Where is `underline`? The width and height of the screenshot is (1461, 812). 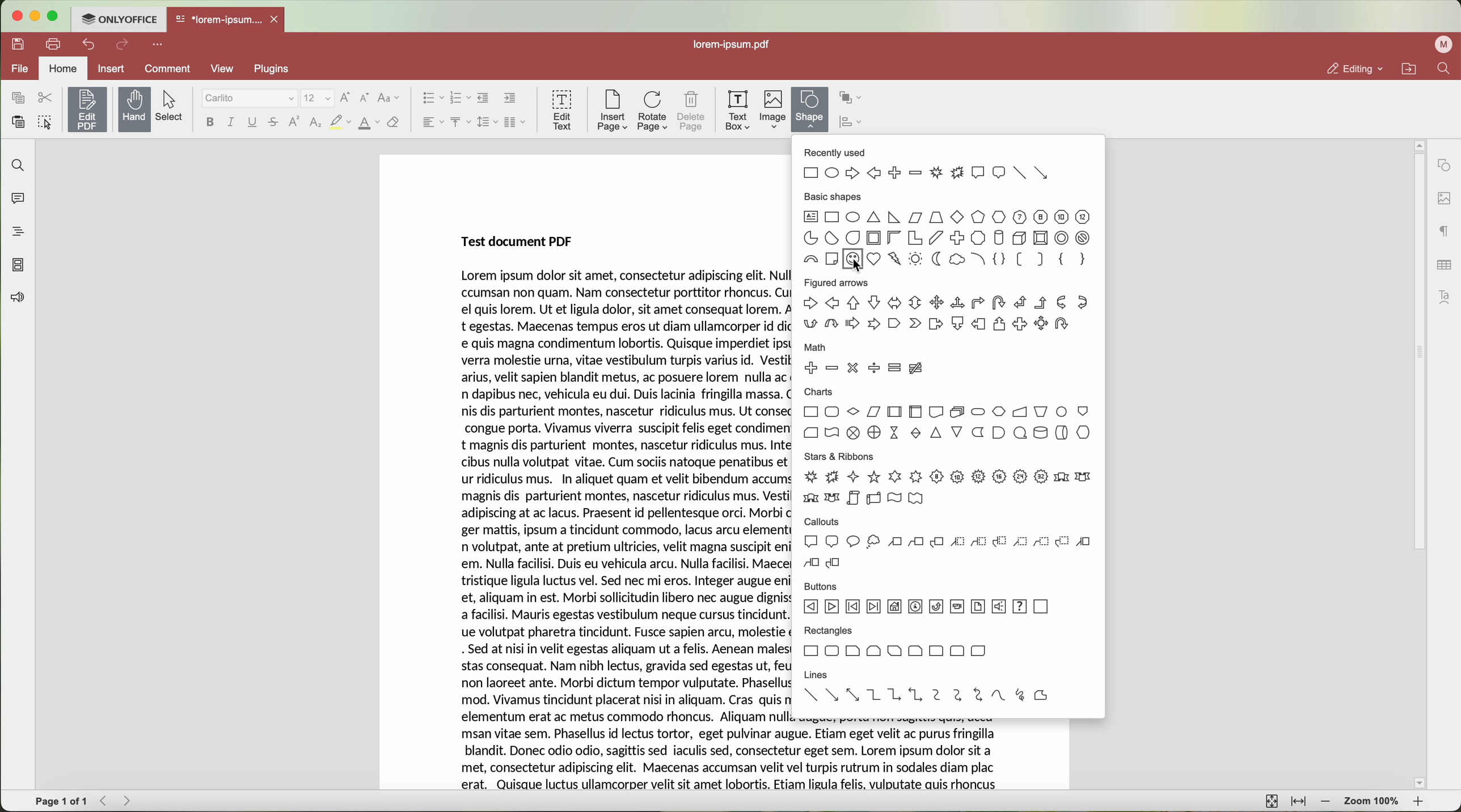
underline is located at coordinates (253, 122).